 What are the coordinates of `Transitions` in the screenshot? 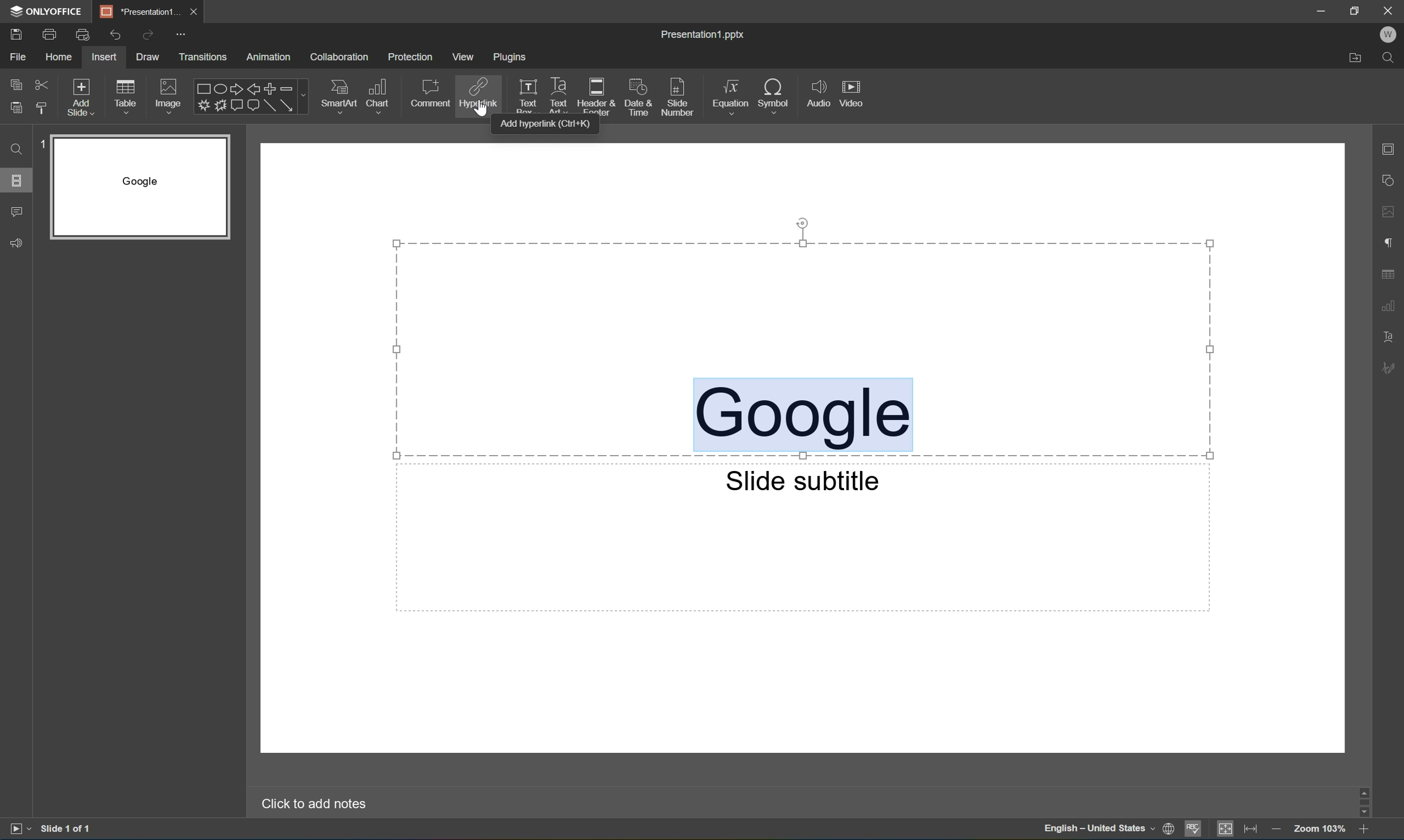 It's located at (203, 57).